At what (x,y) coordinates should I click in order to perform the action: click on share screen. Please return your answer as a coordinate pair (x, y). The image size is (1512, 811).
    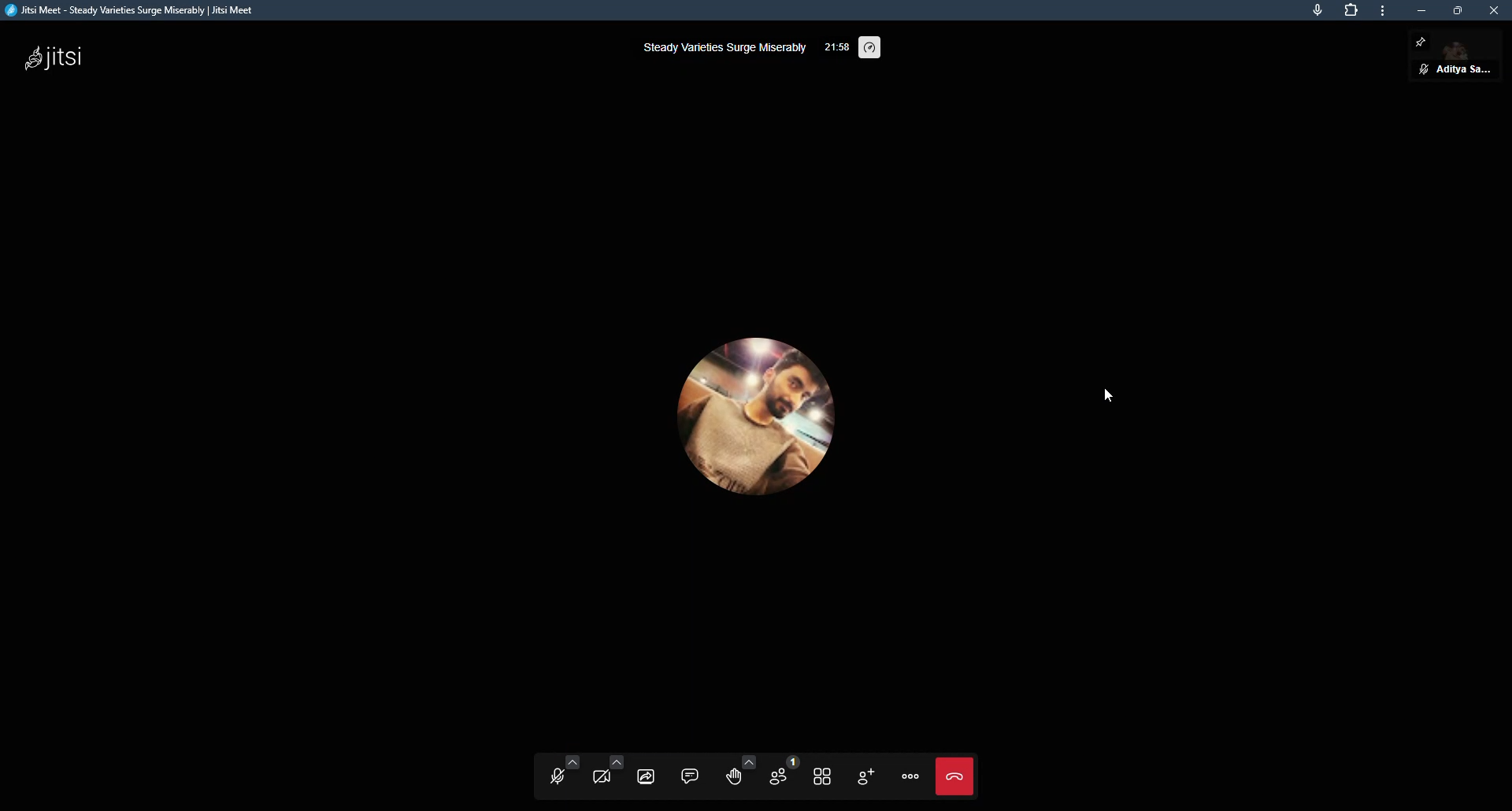
    Looking at the image, I should click on (647, 776).